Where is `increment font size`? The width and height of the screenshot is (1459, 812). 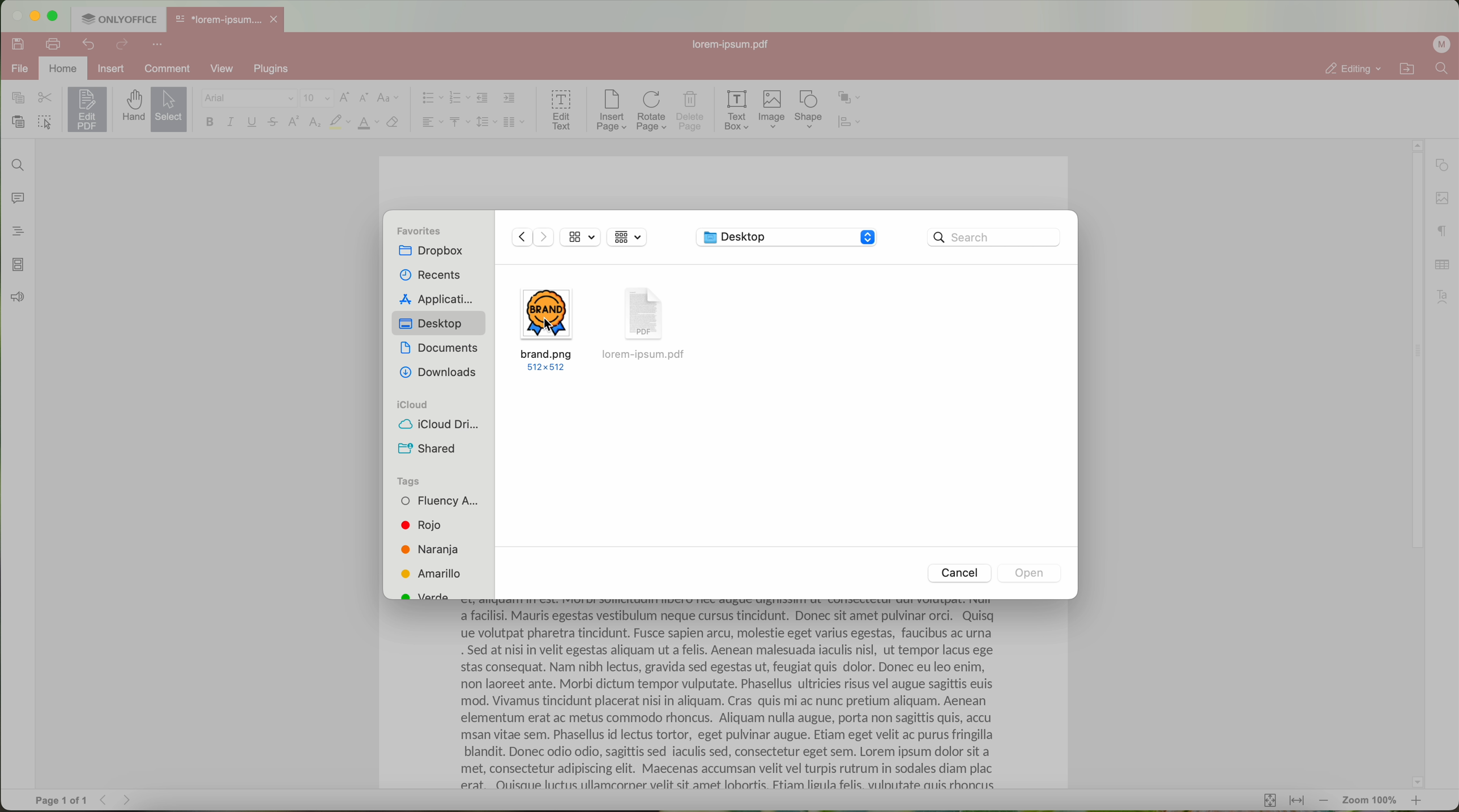
increment font size is located at coordinates (344, 97).